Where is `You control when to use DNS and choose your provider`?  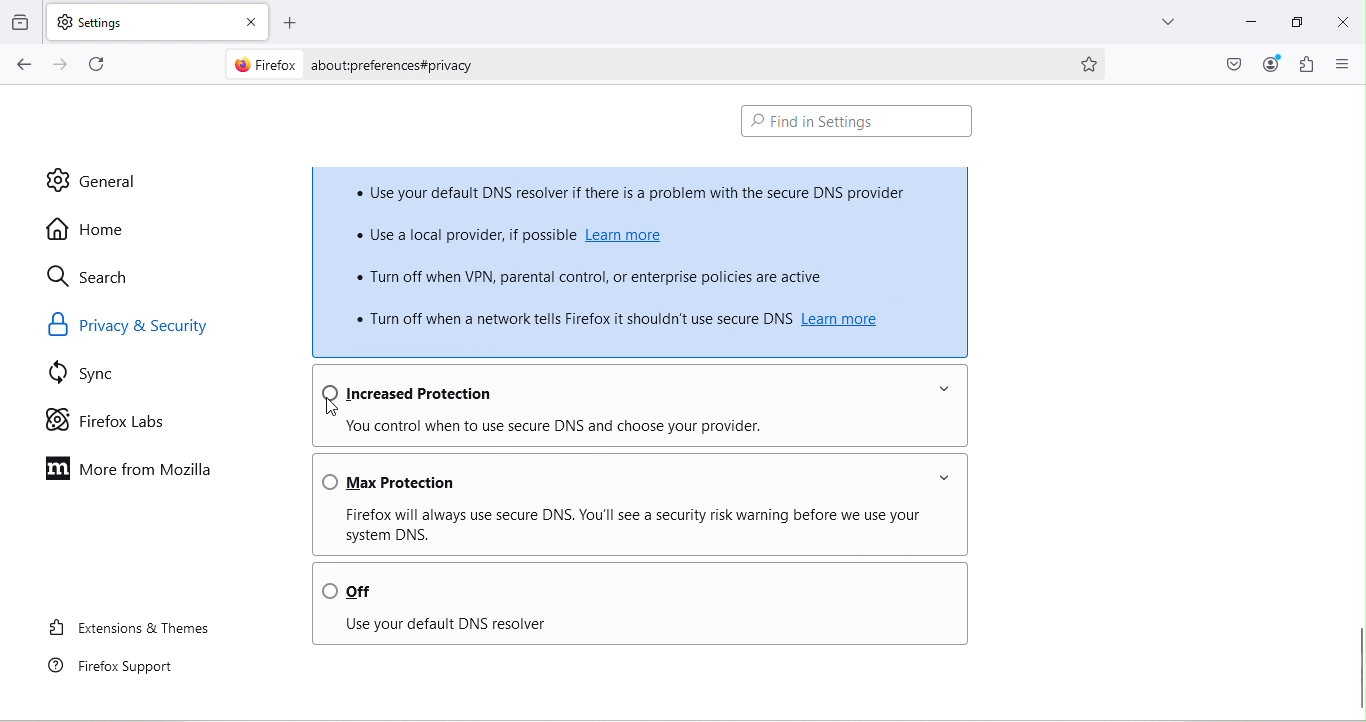
You control when to use DNS and choose your provider is located at coordinates (634, 429).